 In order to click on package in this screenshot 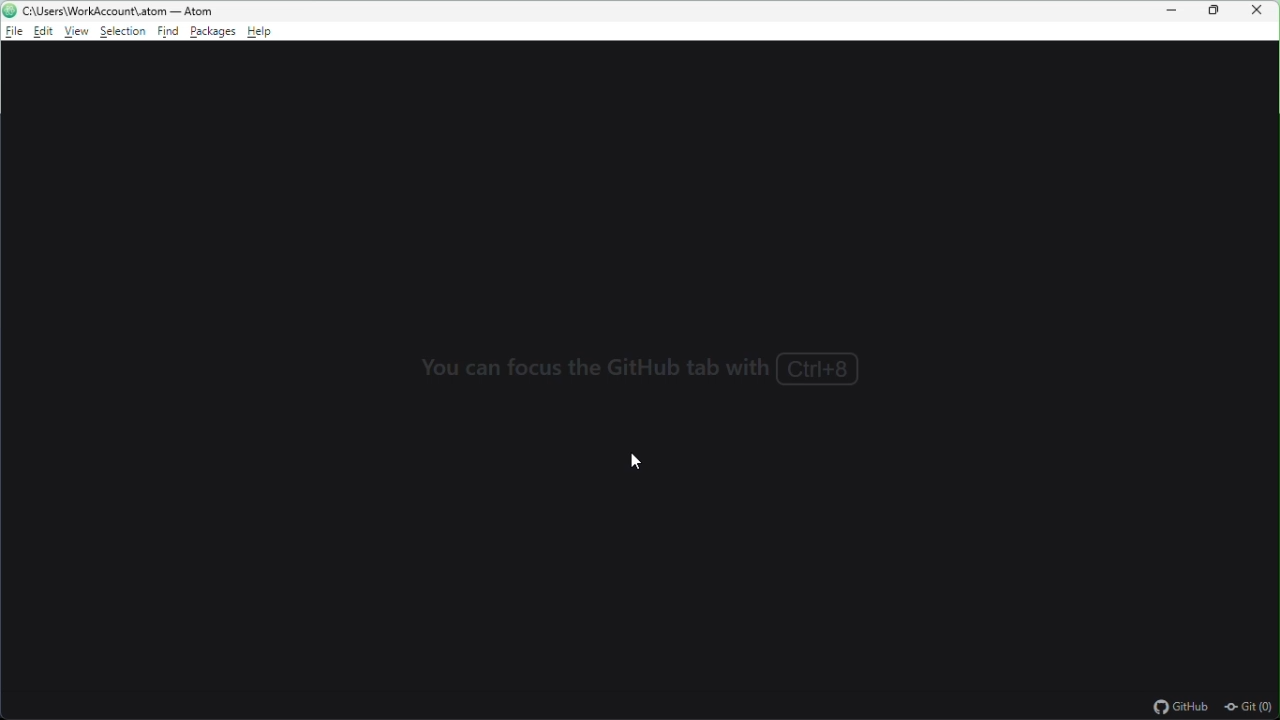, I will do `click(213, 32)`.